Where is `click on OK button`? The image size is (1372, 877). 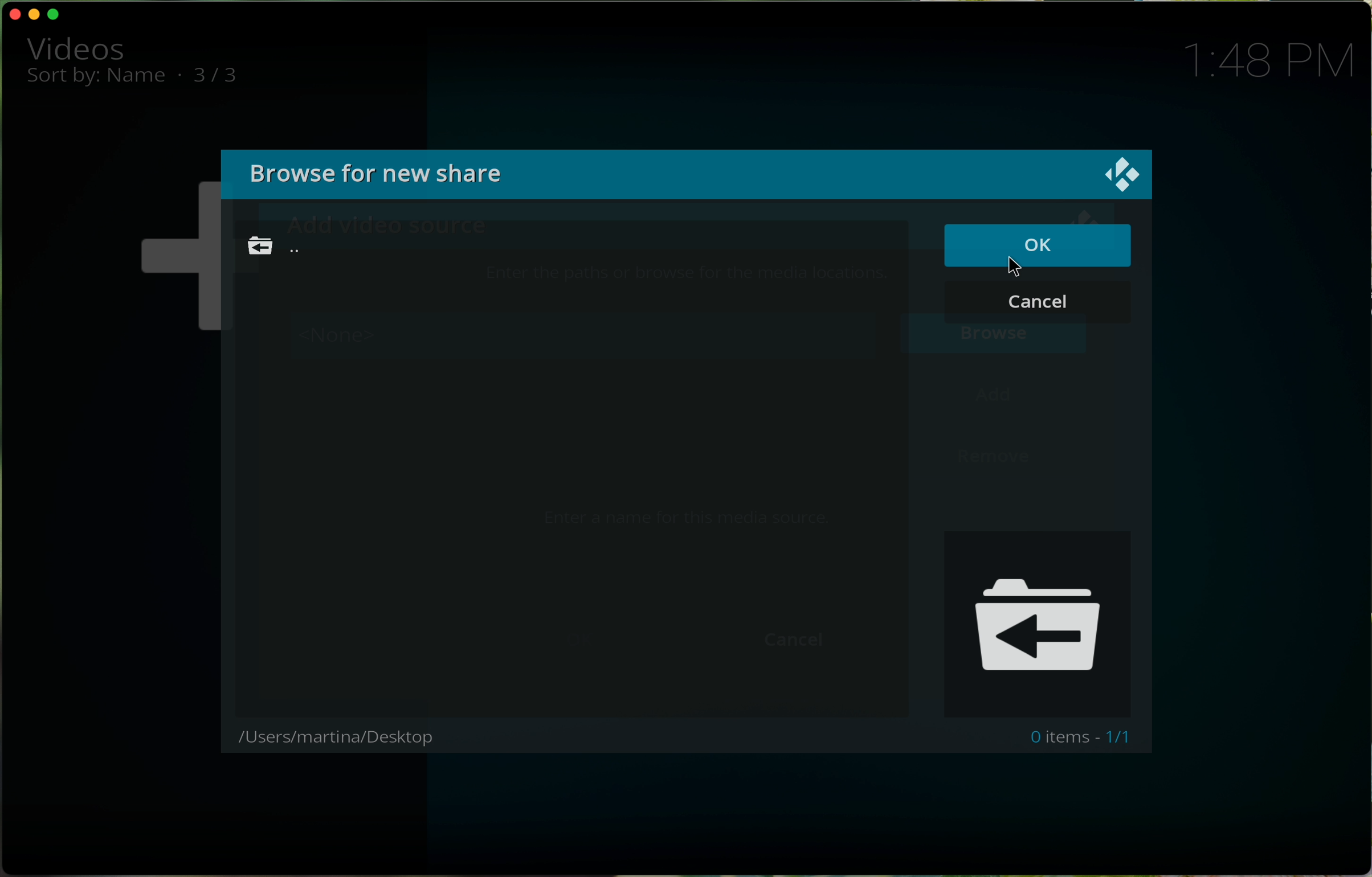 click on OK button is located at coordinates (1038, 249).